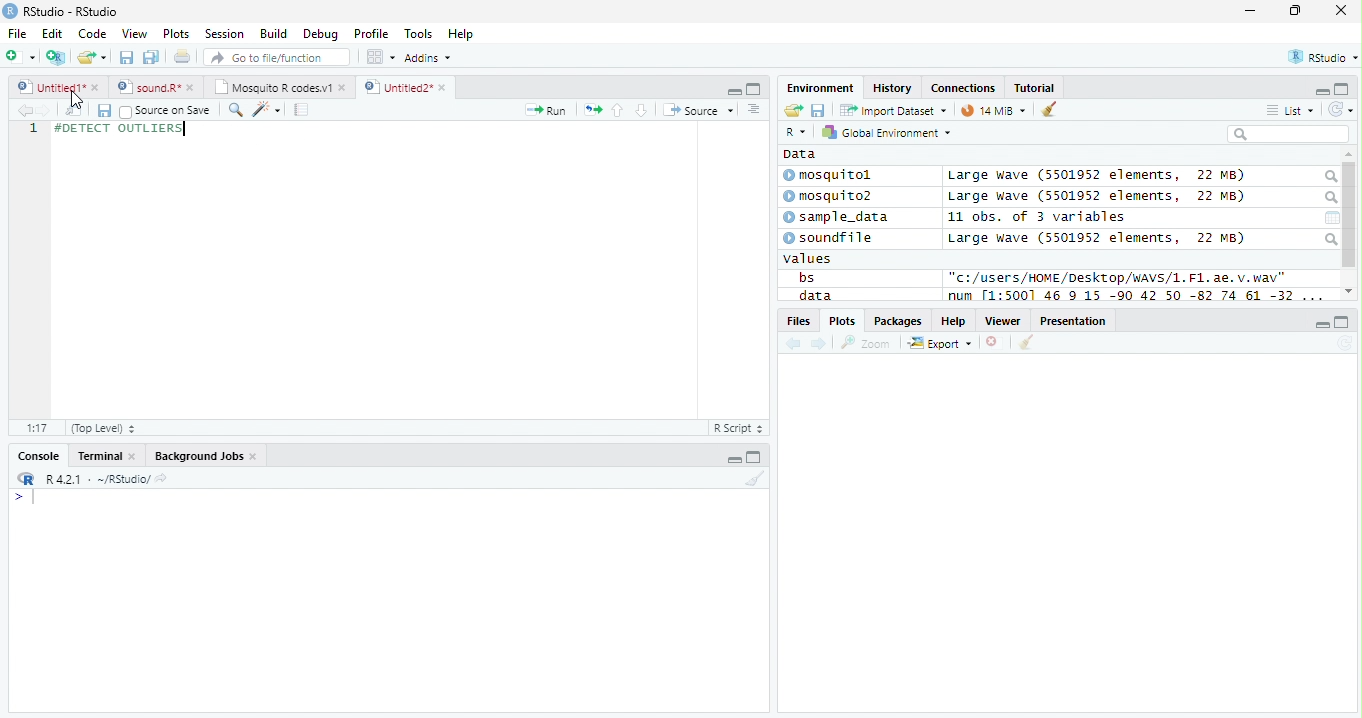 The height and width of the screenshot is (718, 1362). What do you see at coordinates (798, 132) in the screenshot?
I see `R` at bounding box center [798, 132].